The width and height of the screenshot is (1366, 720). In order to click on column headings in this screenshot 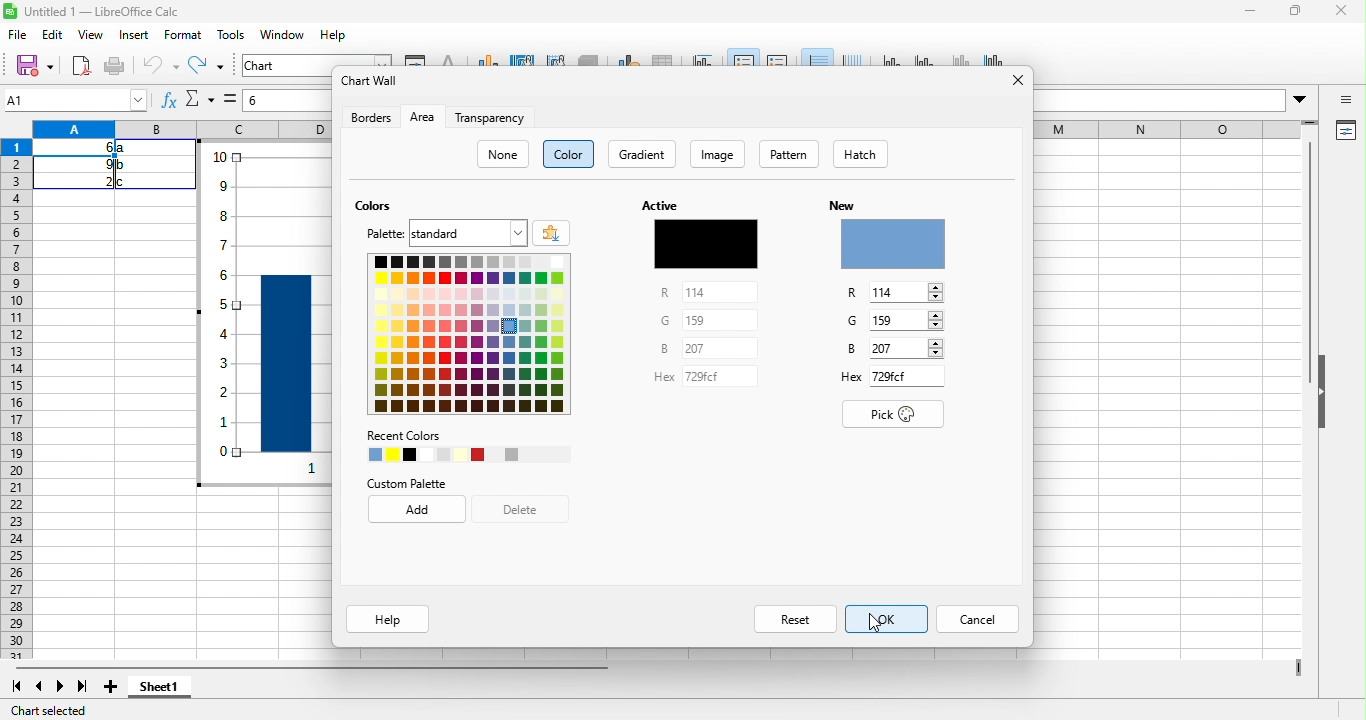, I will do `click(181, 129)`.